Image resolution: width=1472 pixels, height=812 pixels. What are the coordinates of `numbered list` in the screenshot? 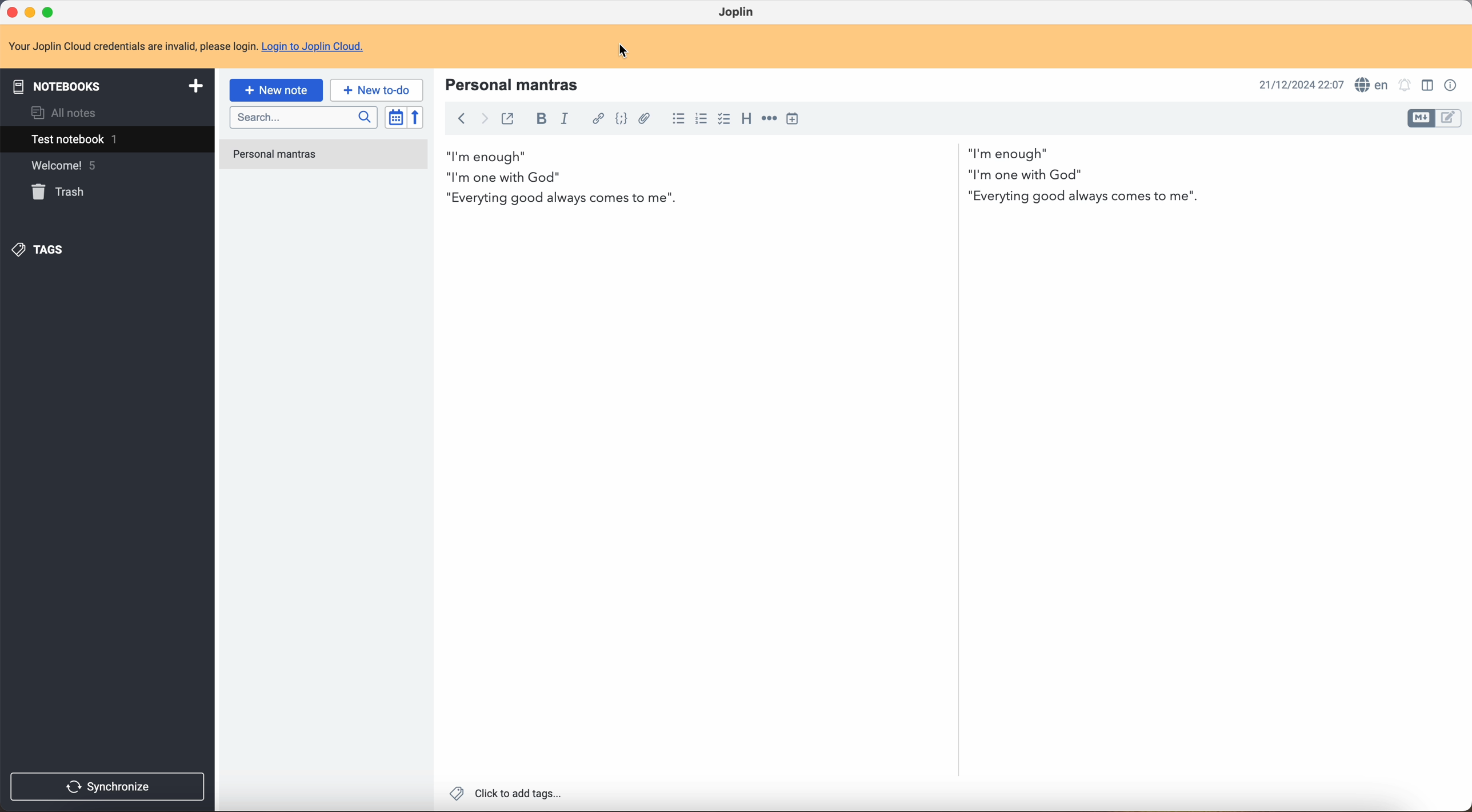 It's located at (703, 118).